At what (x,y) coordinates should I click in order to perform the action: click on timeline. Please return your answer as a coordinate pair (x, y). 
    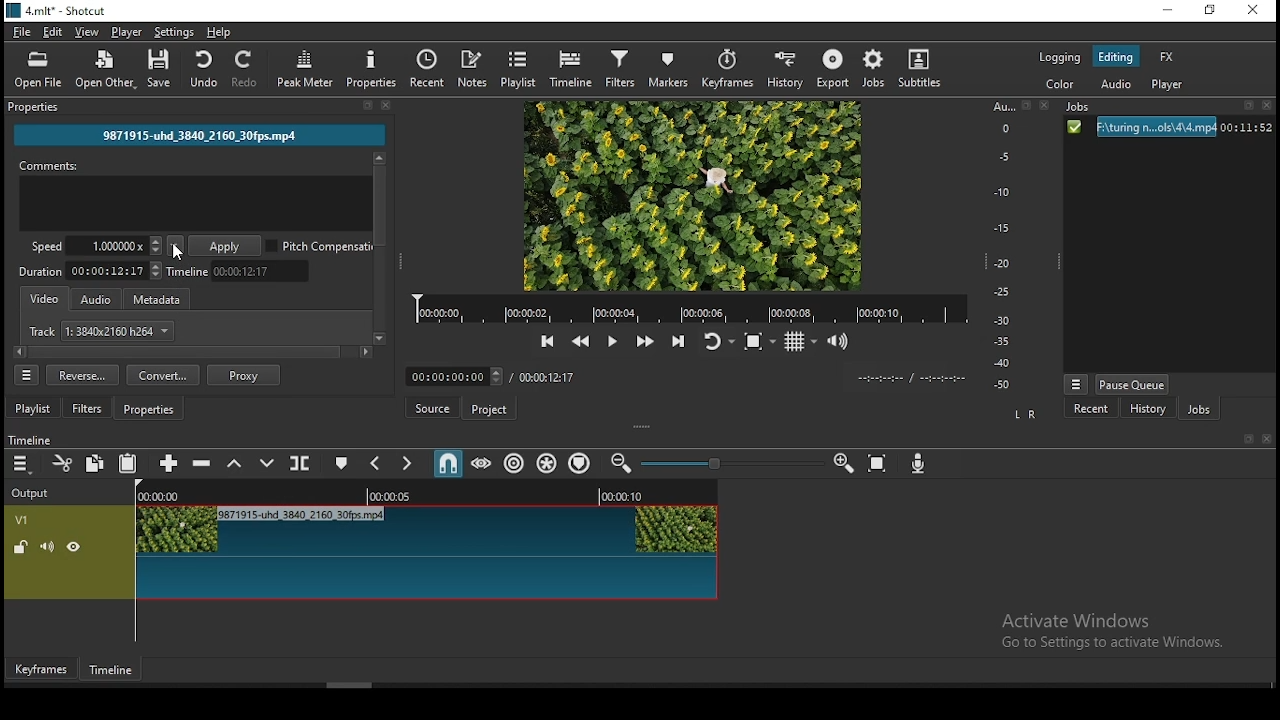
    Looking at the image, I should click on (39, 438).